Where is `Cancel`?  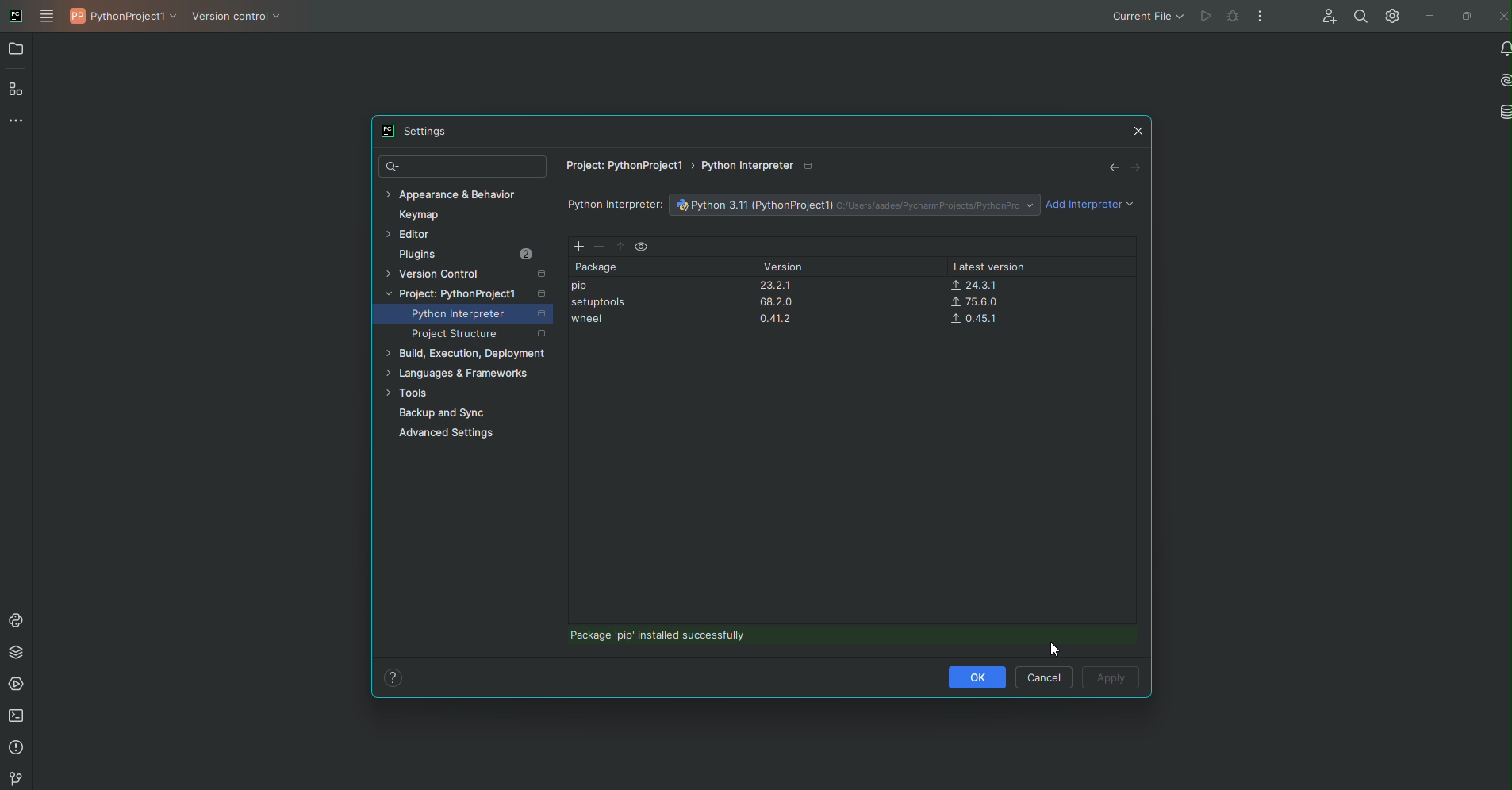
Cancel is located at coordinates (1044, 676).